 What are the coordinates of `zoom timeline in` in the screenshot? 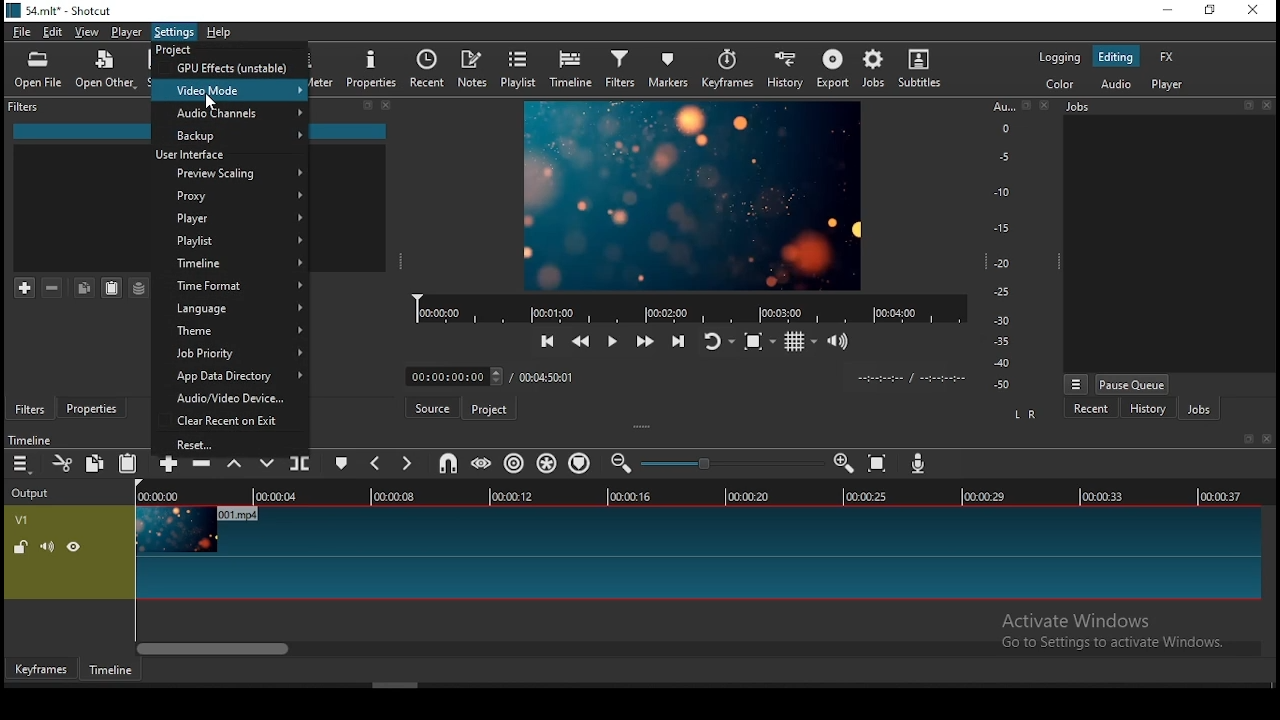 It's located at (623, 464).